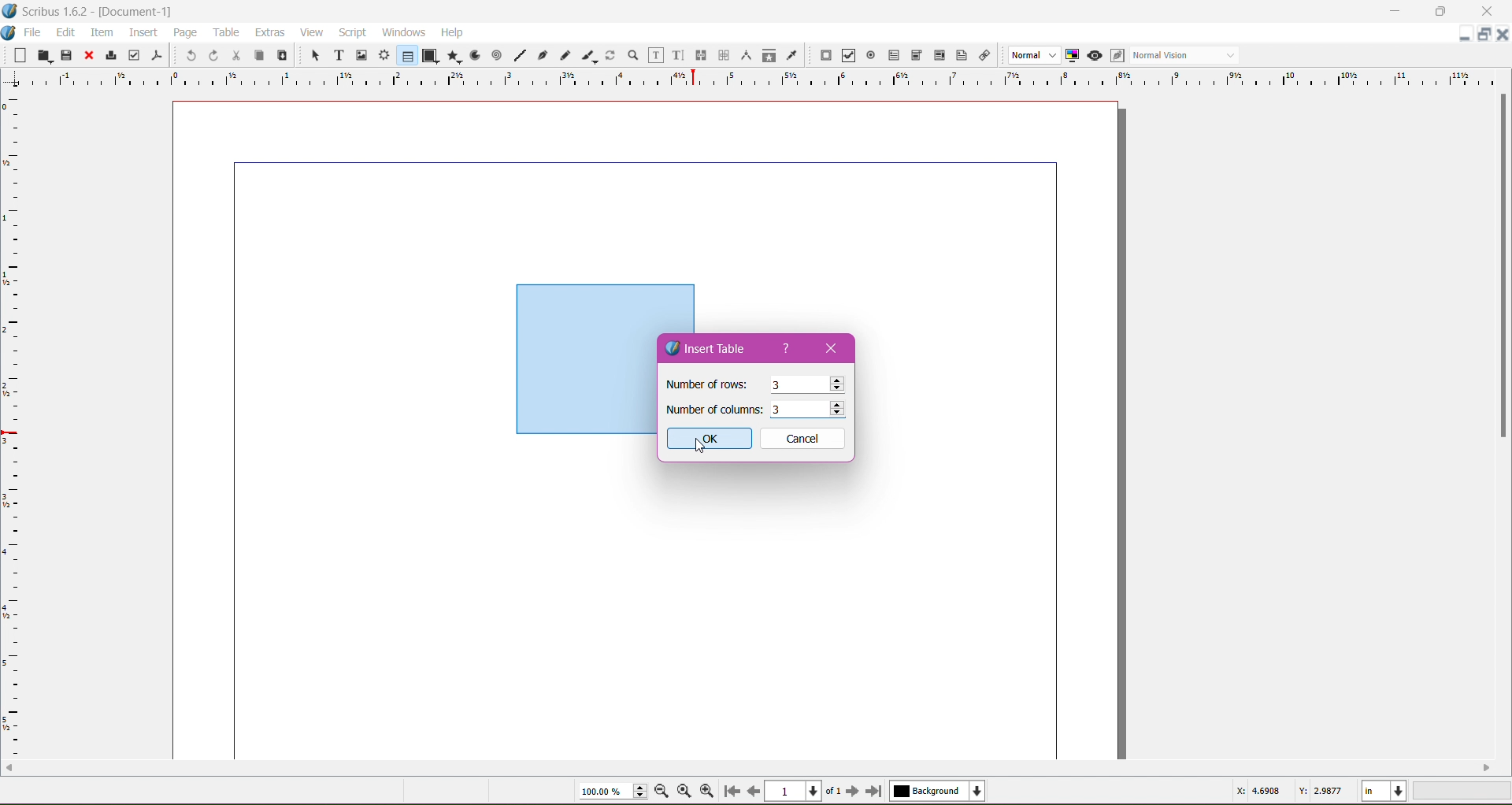 This screenshot has width=1512, height=805. I want to click on Insert, so click(143, 30).